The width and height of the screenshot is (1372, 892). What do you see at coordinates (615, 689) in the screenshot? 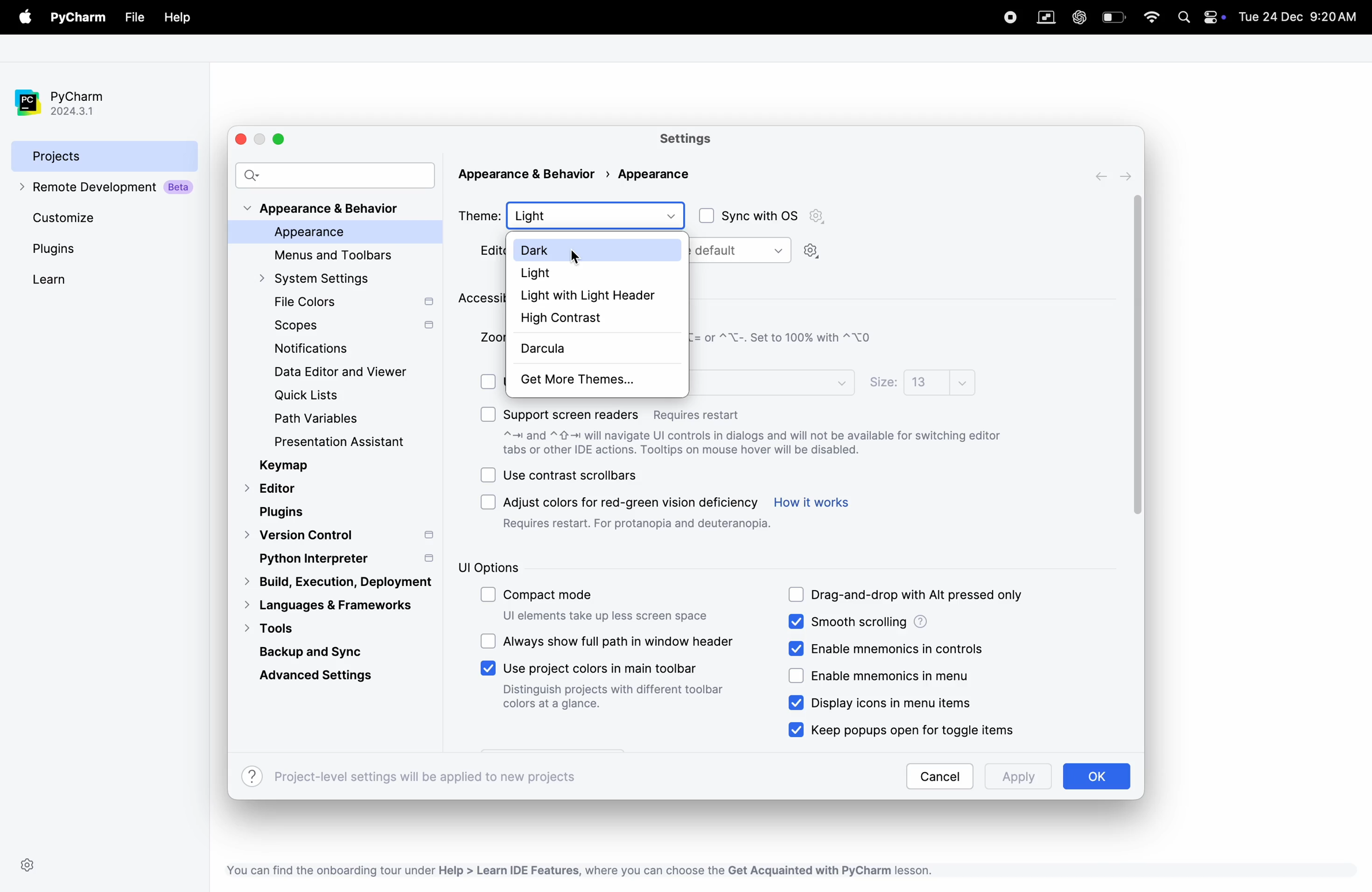
I see `use project colors toolbar` at bounding box center [615, 689].